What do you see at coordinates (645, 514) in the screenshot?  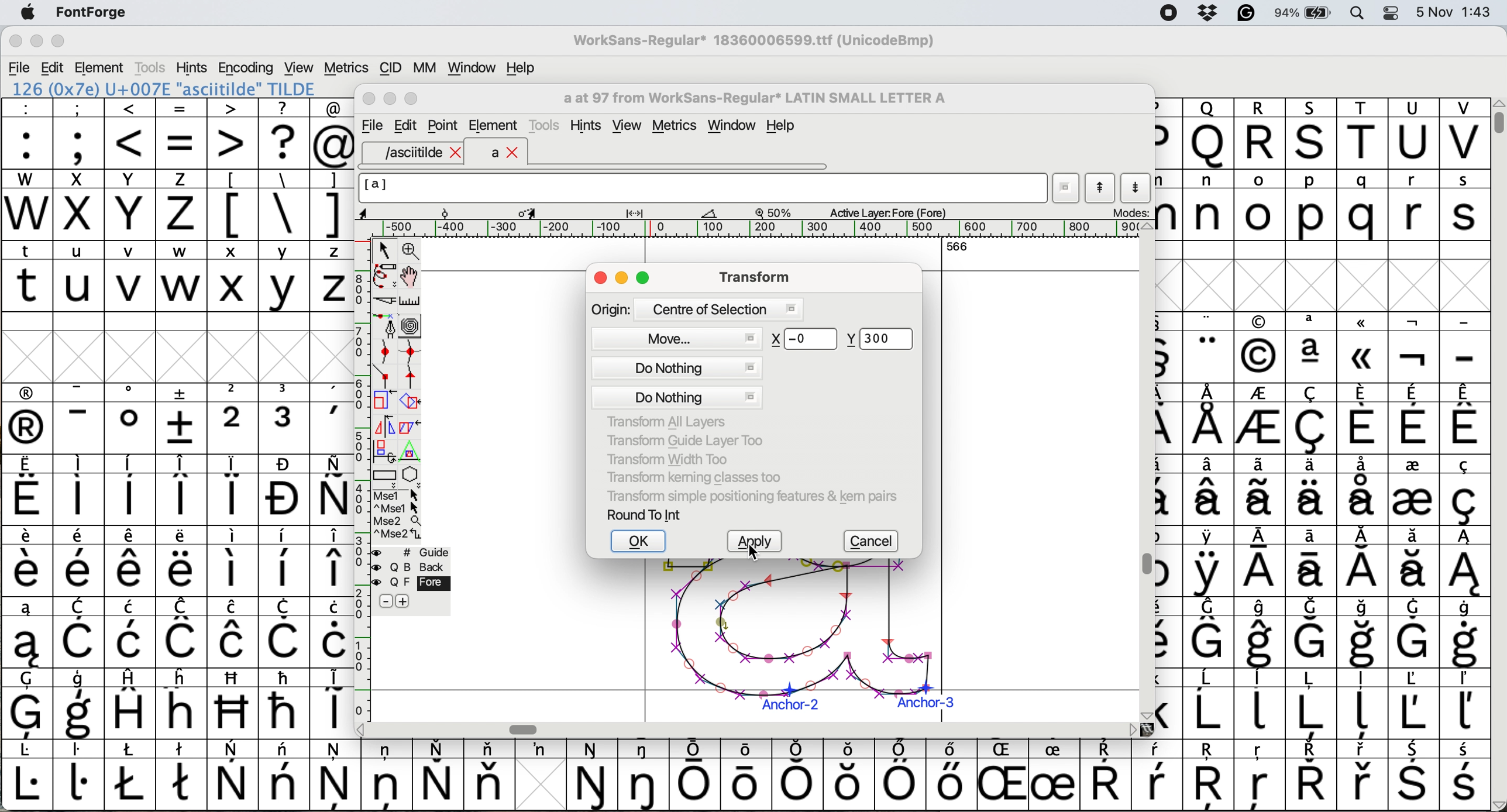 I see `round to int` at bounding box center [645, 514].